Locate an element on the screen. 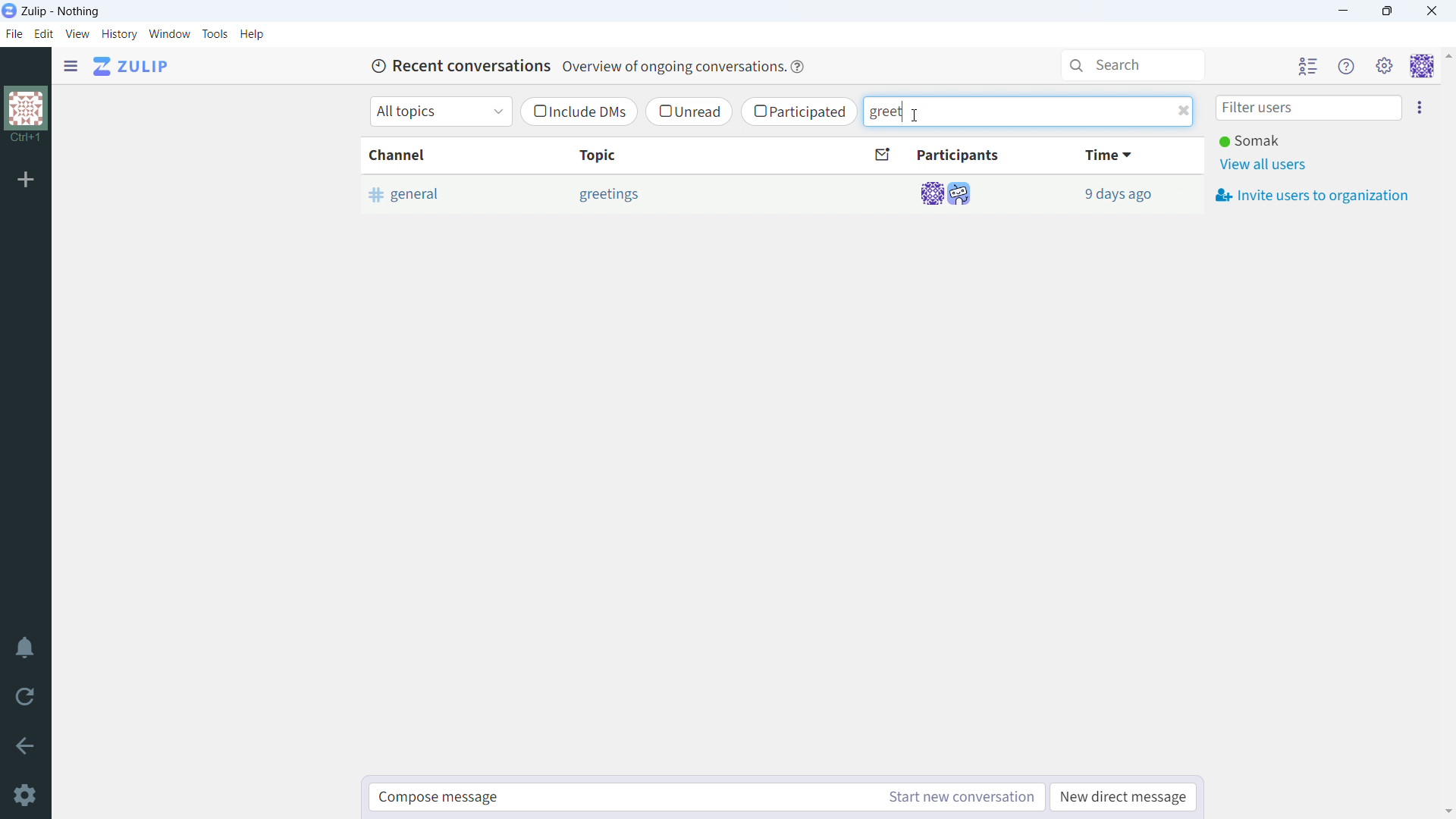 The image size is (1456, 819). main menu is located at coordinates (1386, 67).